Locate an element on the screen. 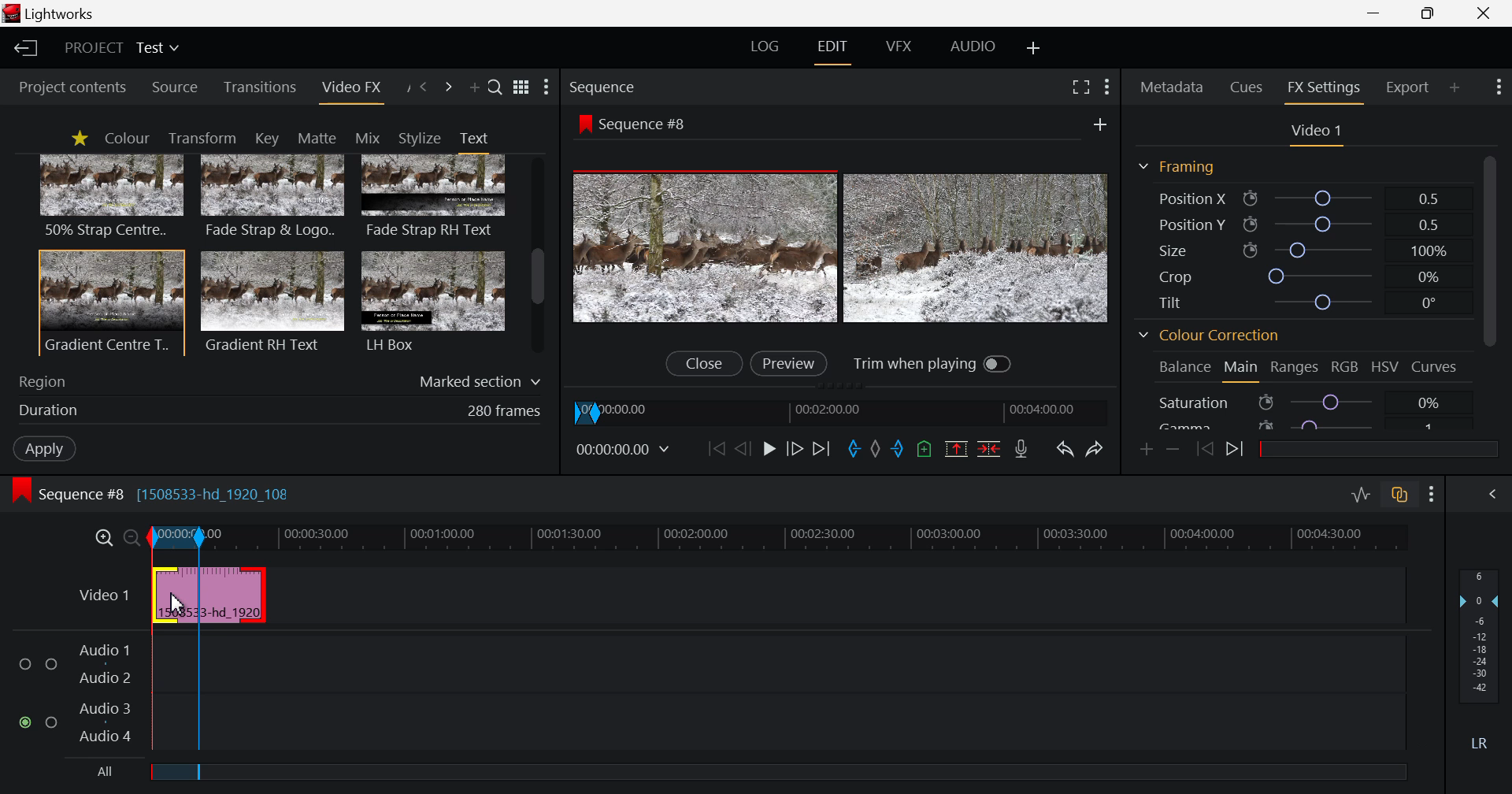  Cues is located at coordinates (1248, 86).